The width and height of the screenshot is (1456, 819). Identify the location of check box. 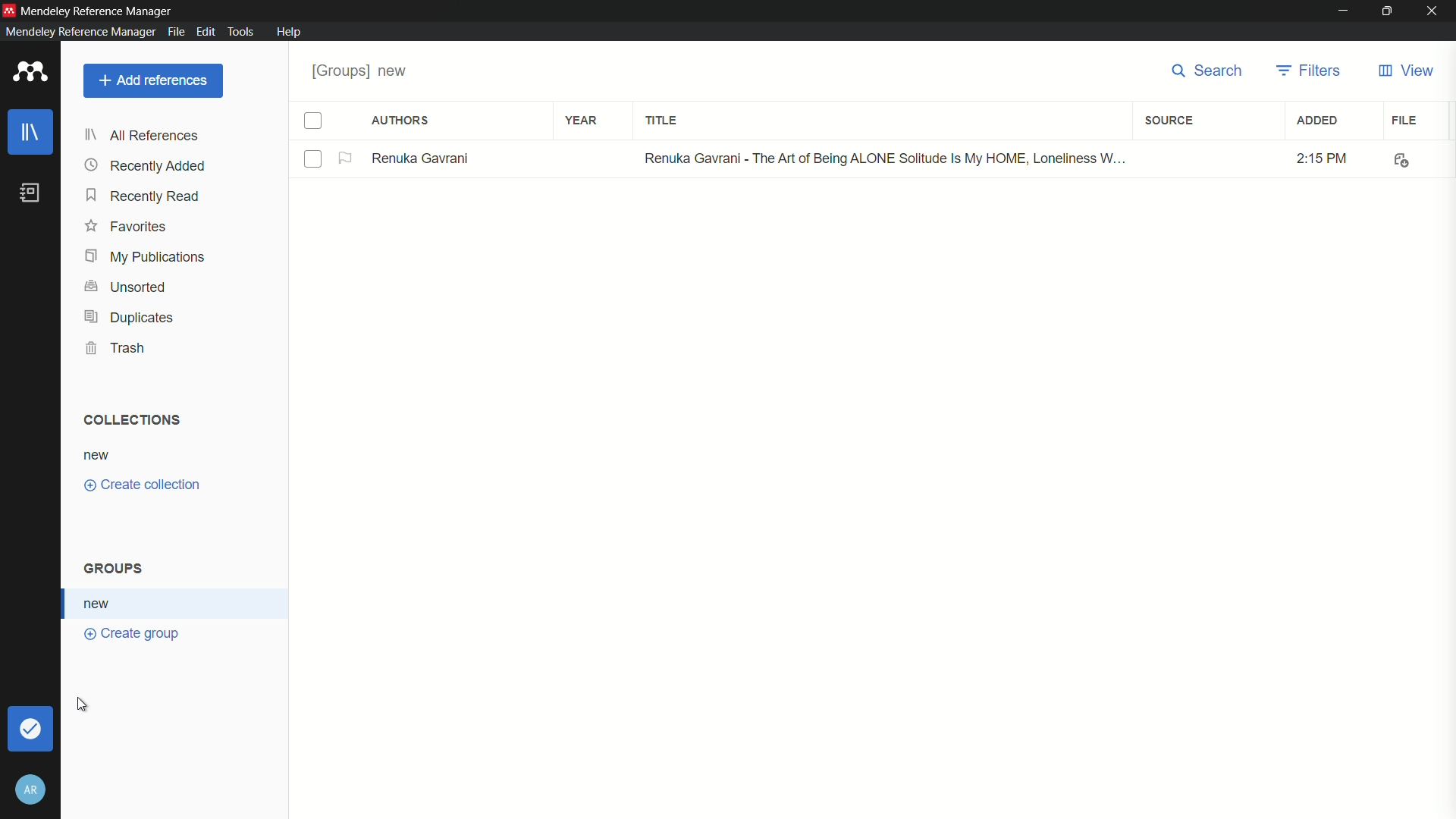
(314, 121).